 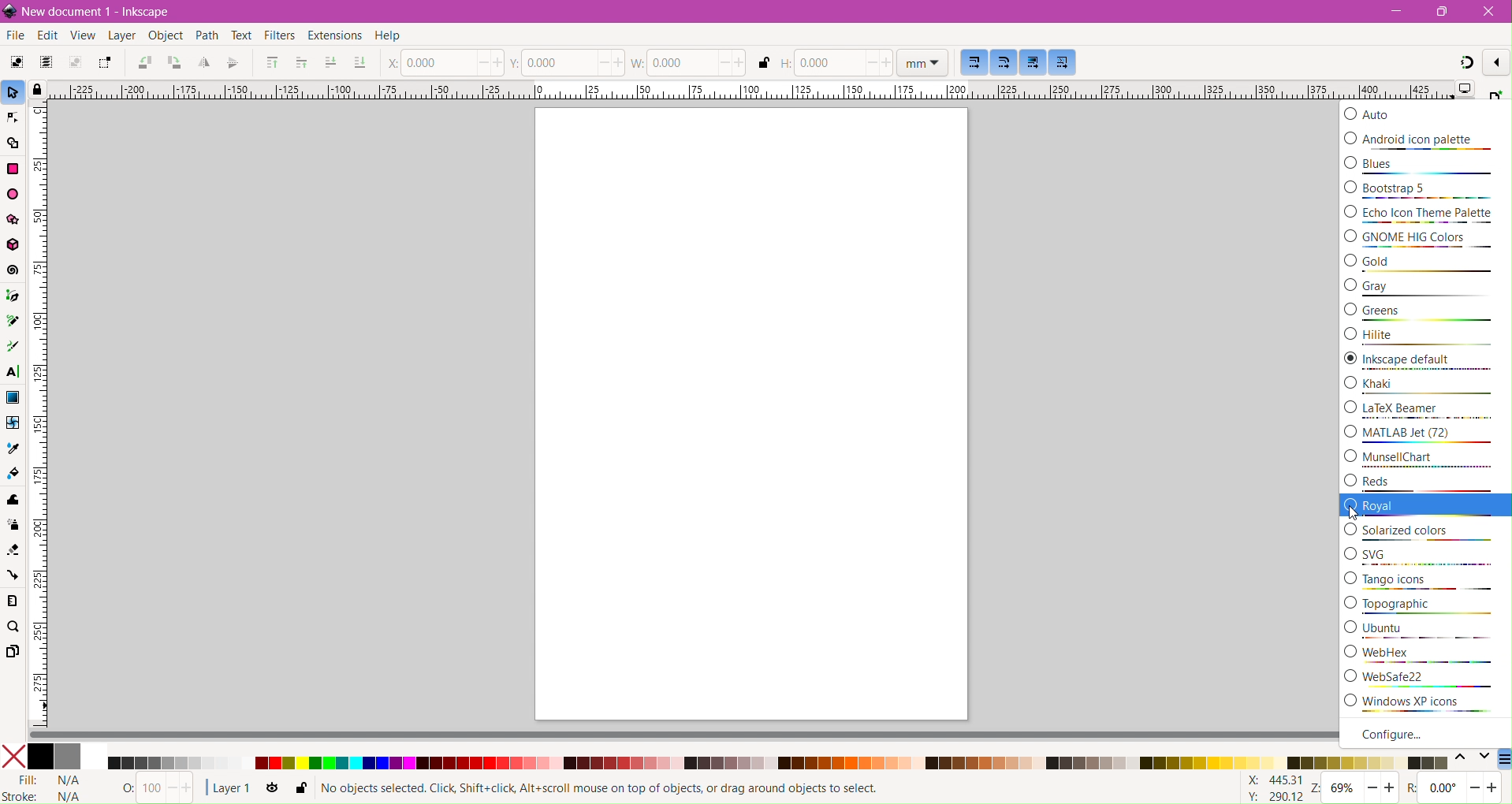 What do you see at coordinates (13, 501) in the screenshot?
I see `Tweak Tool` at bounding box center [13, 501].